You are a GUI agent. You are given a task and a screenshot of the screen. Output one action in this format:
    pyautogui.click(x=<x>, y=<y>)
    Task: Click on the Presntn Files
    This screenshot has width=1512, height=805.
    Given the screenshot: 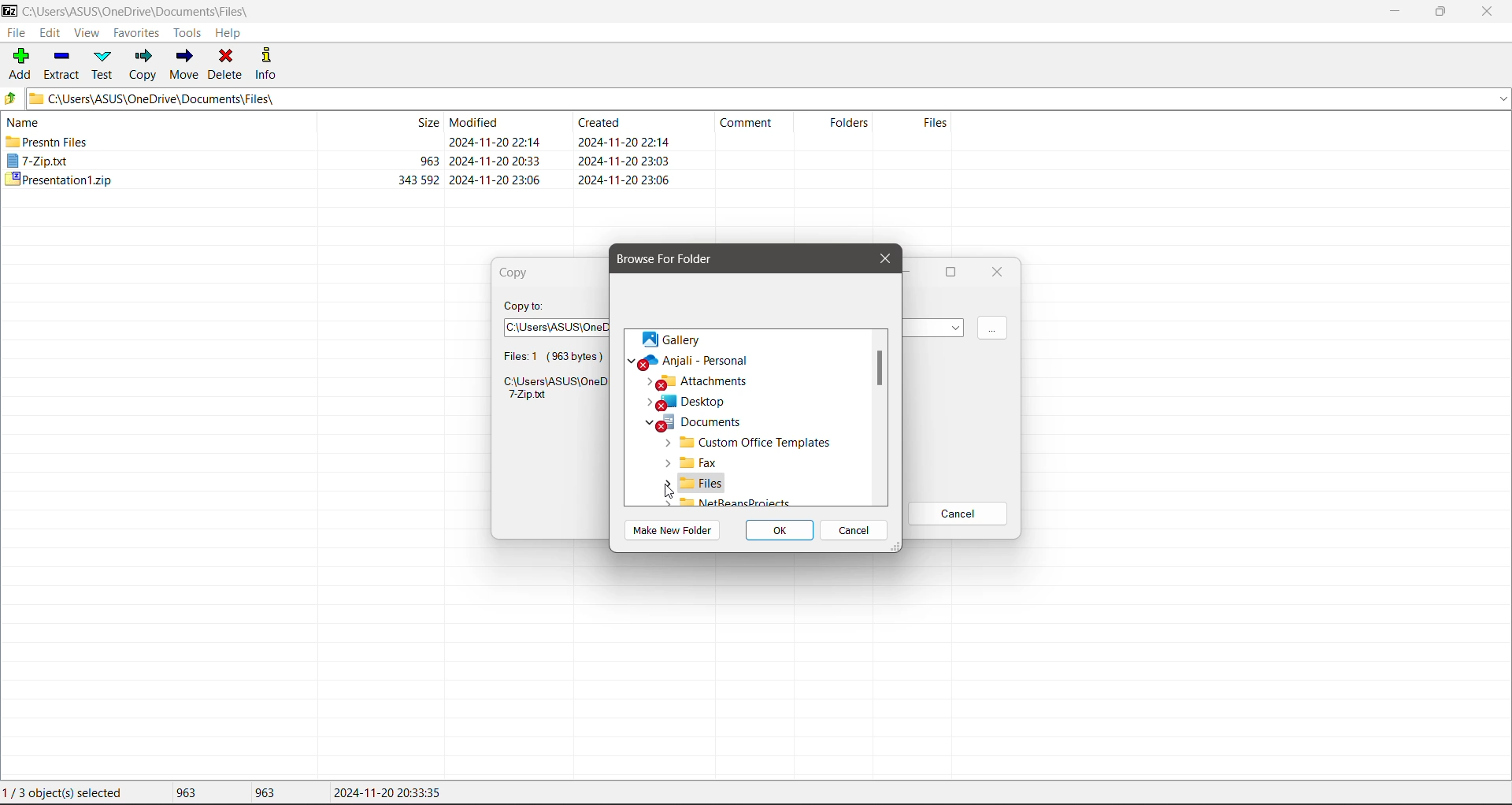 What is the action you would take?
    pyautogui.click(x=48, y=142)
    